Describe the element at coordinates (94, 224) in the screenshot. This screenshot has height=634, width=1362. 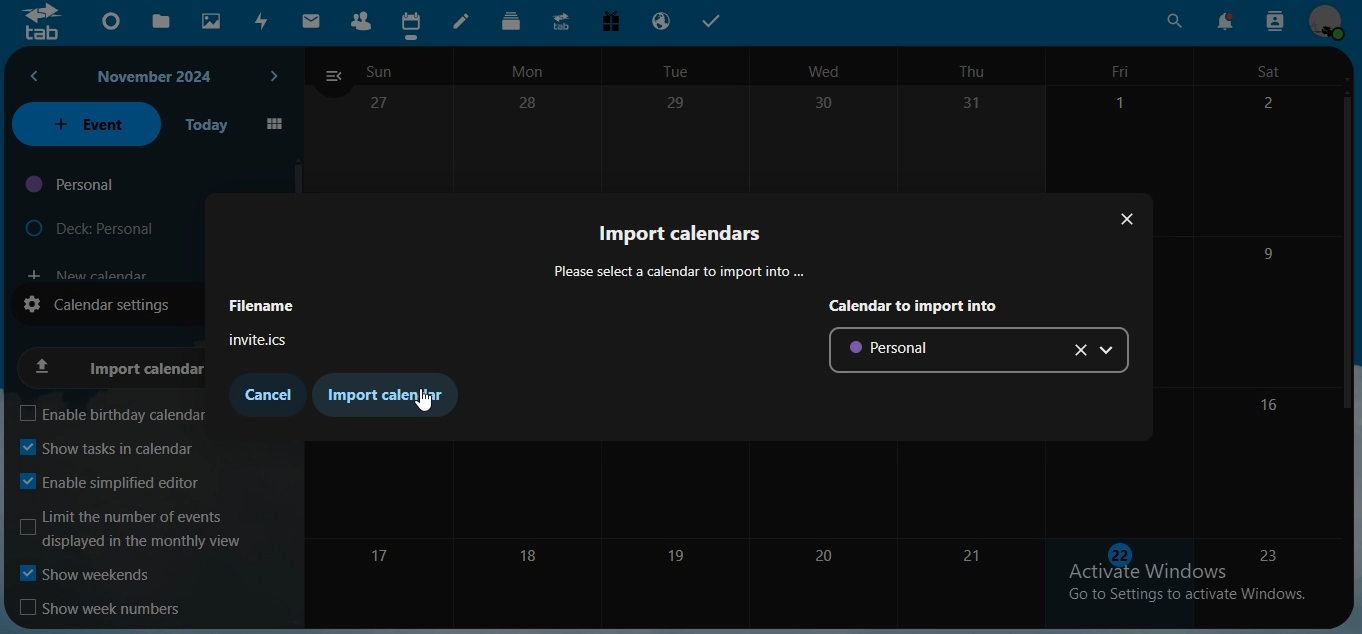
I see `deck personal` at that location.